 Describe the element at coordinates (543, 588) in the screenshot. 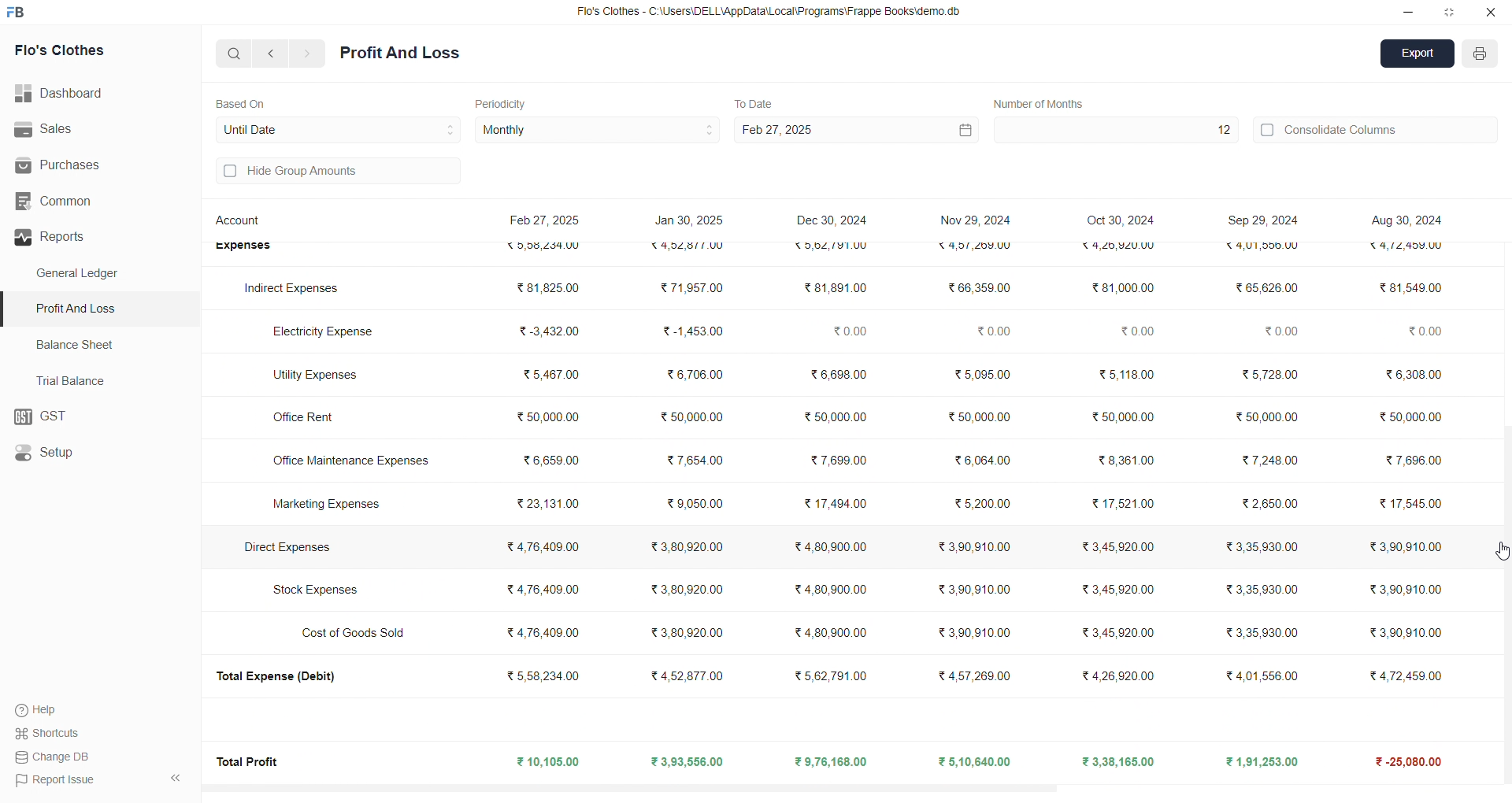

I see `₹4,76,409.00` at that location.